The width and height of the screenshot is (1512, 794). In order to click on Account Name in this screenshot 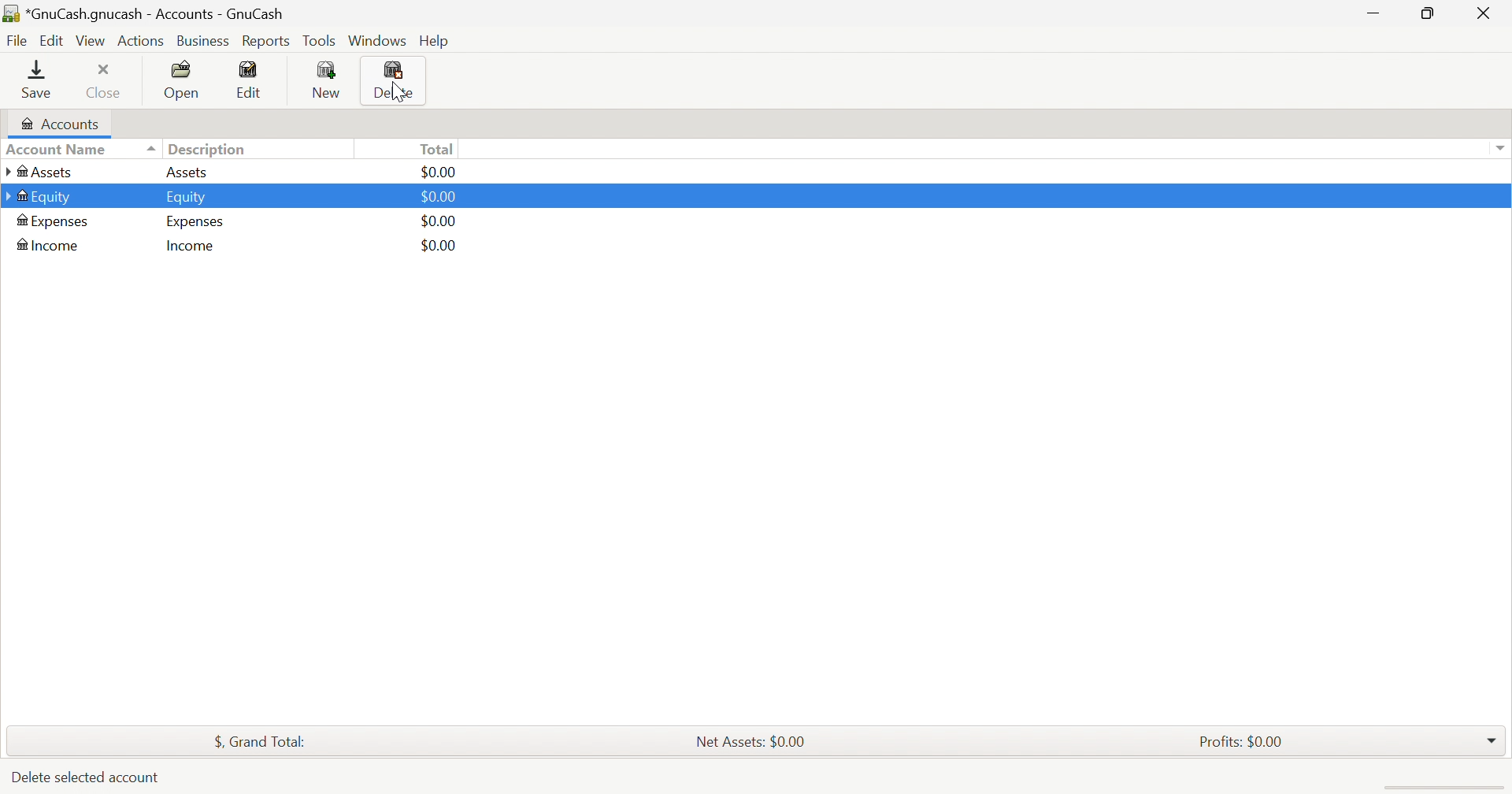, I will do `click(81, 150)`.